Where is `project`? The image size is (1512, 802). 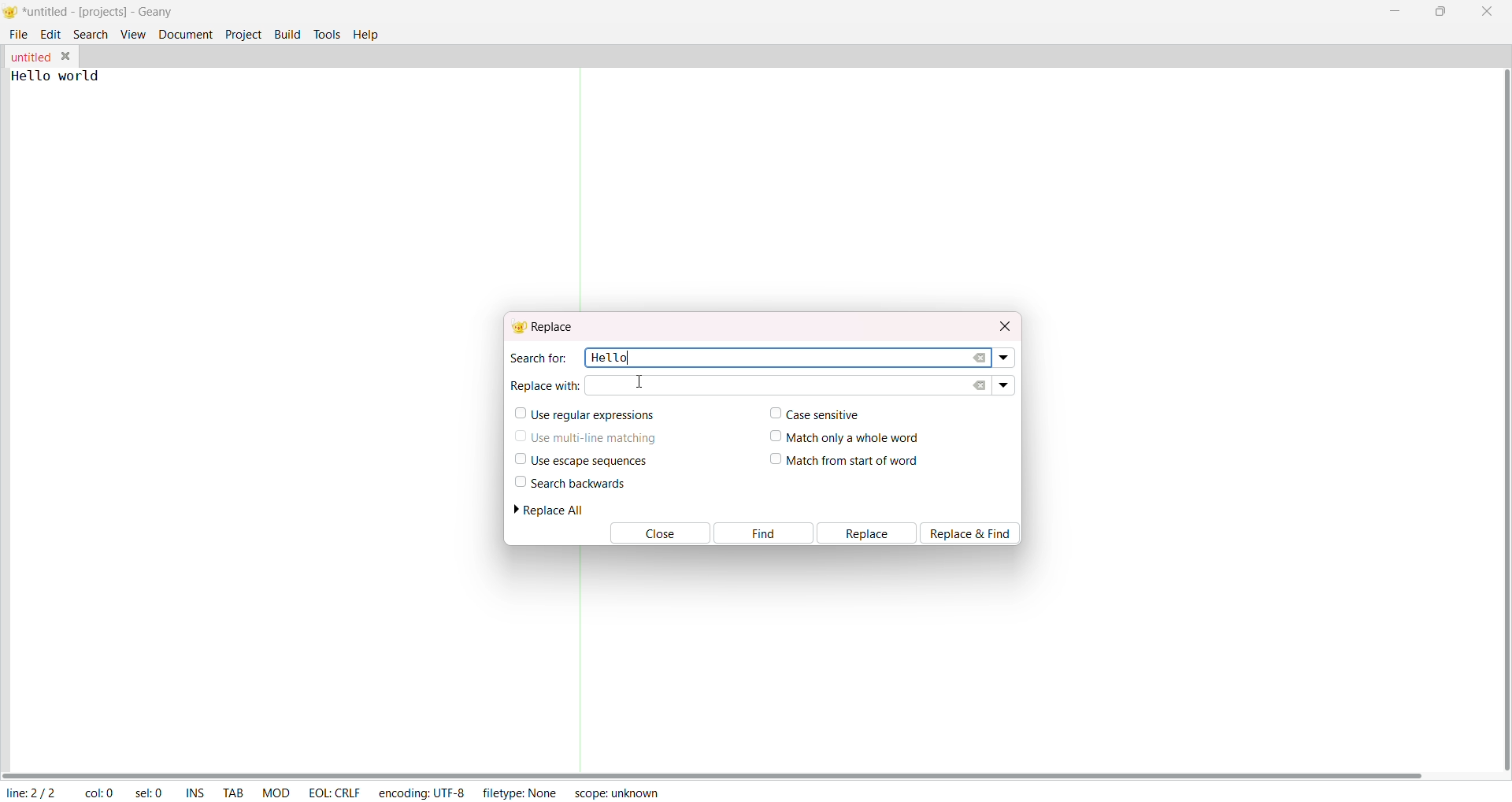 project is located at coordinates (243, 33).